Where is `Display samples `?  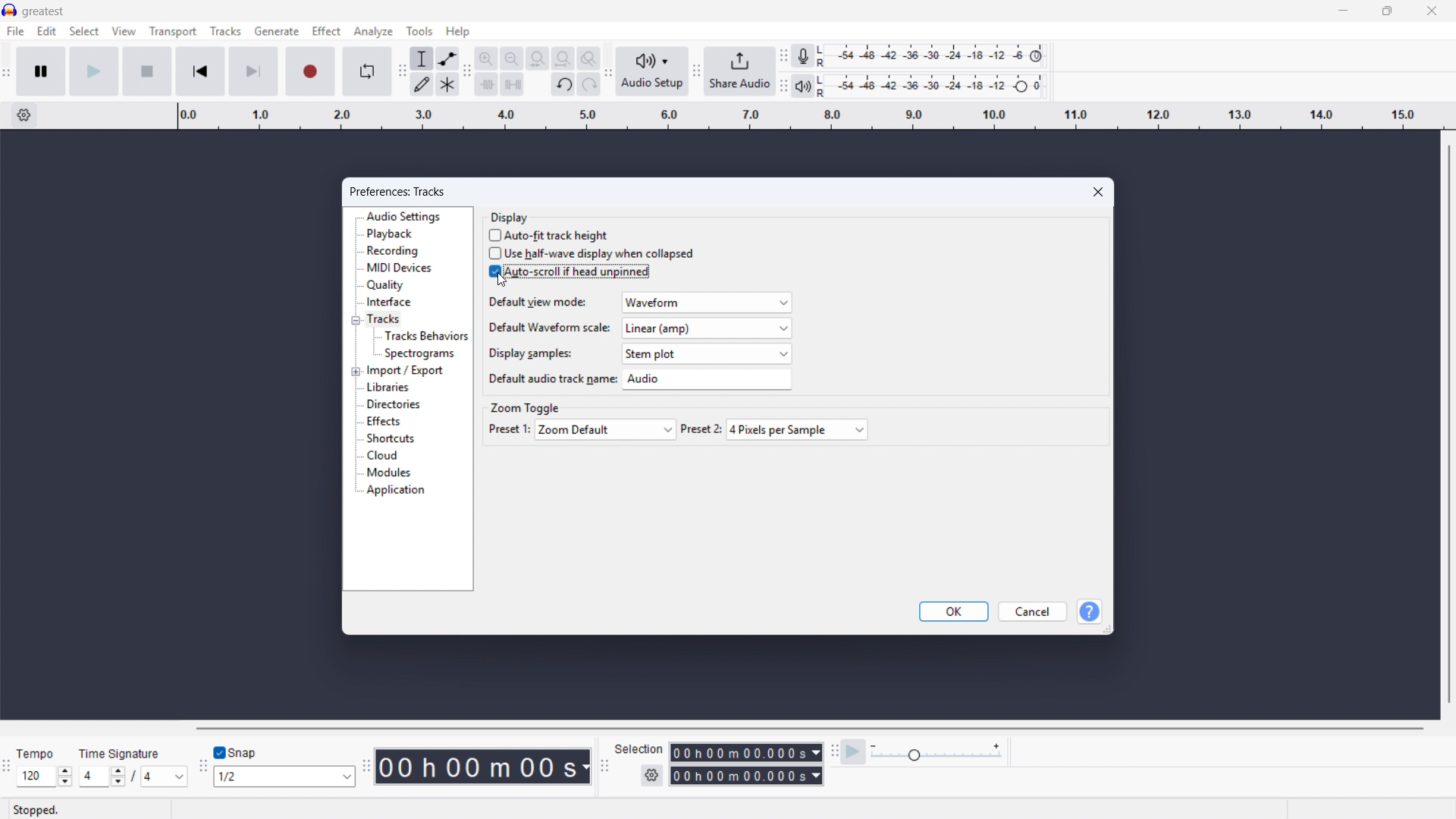
Display samples  is located at coordinates (708, 353).